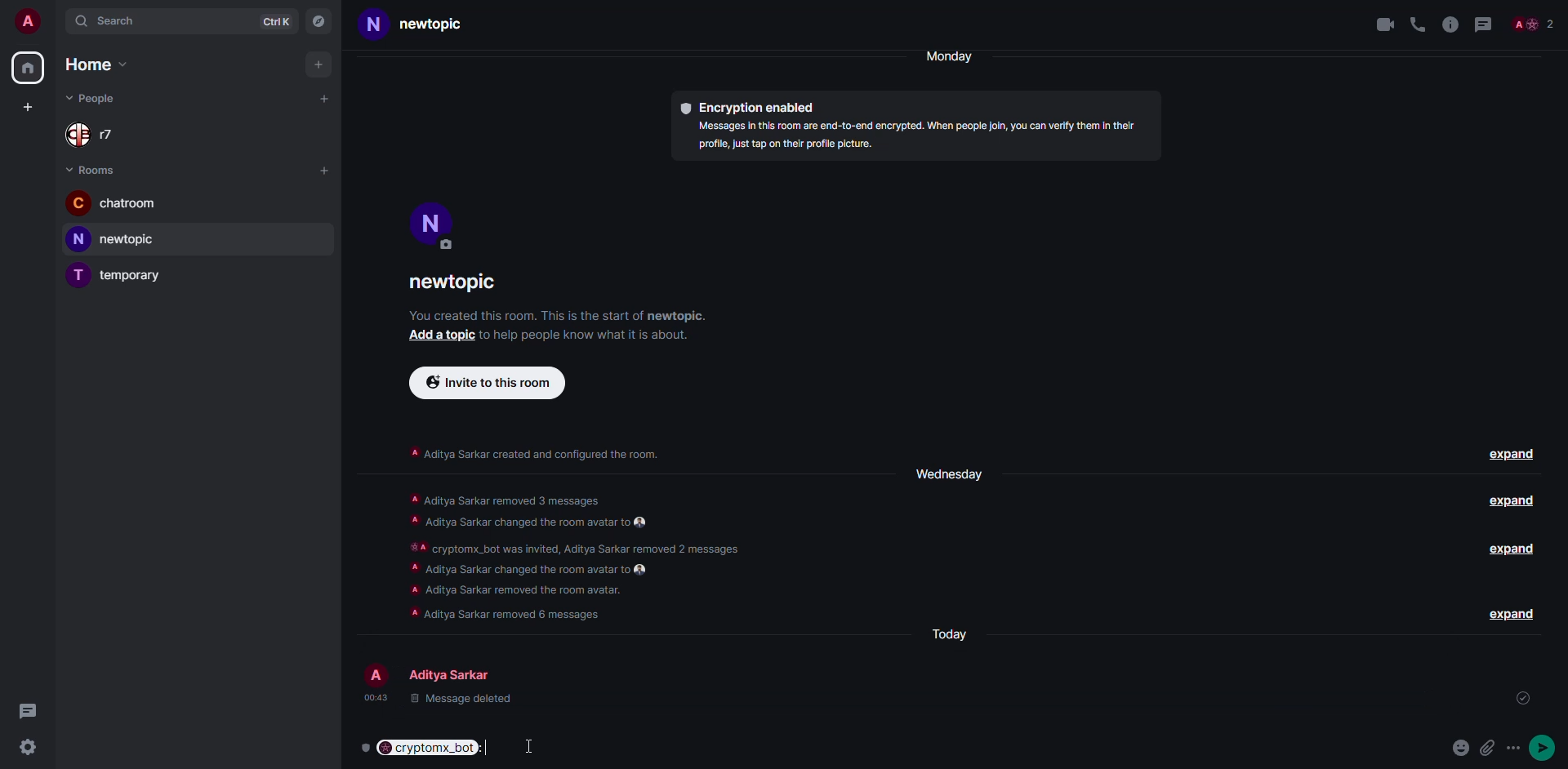  Describe the element at coordinates (432, 222) in the screenshot. I see `profile` at that location.